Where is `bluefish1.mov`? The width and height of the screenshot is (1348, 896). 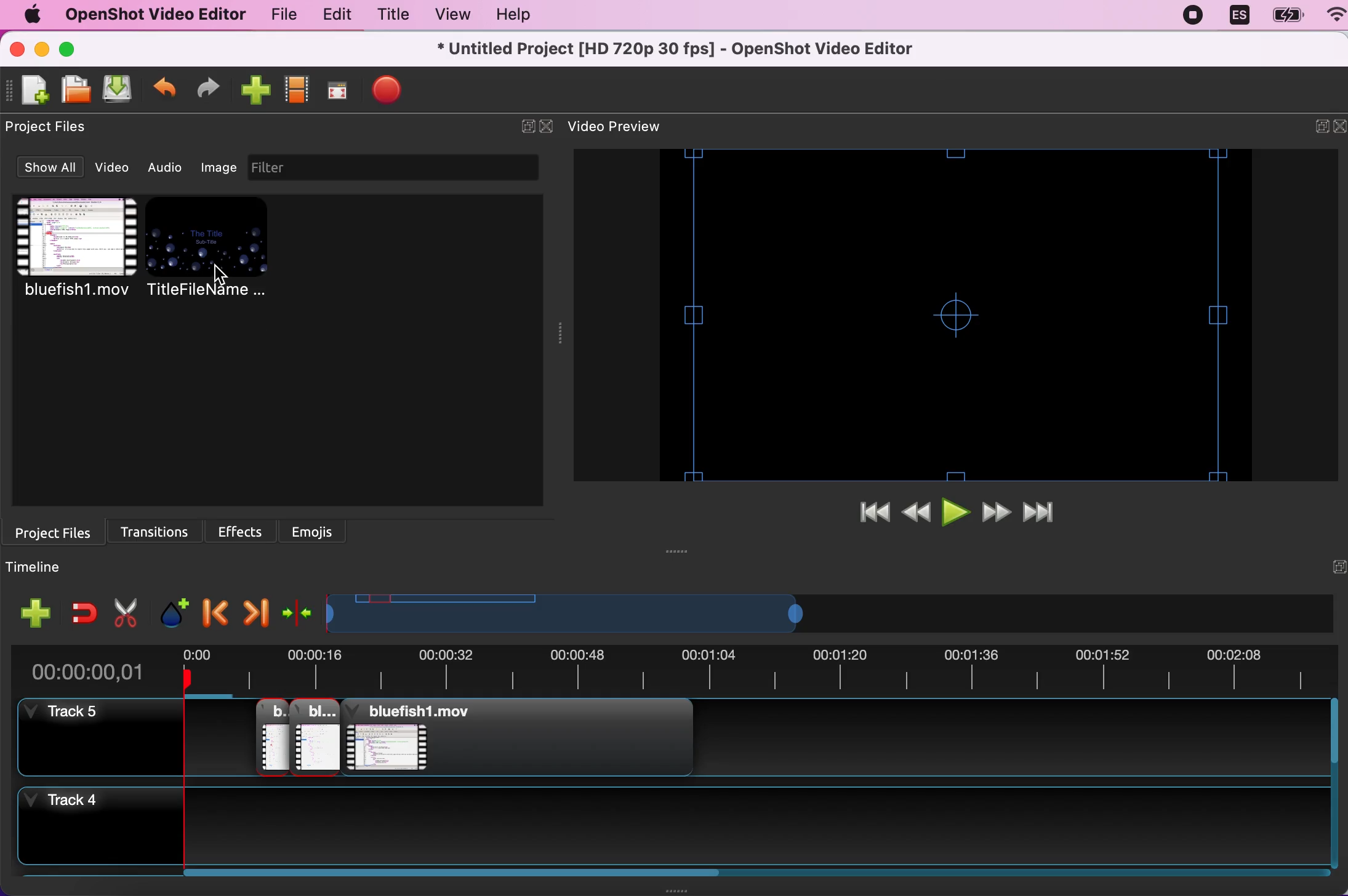
bluefish1.mov is located at coordinates (73, 249).